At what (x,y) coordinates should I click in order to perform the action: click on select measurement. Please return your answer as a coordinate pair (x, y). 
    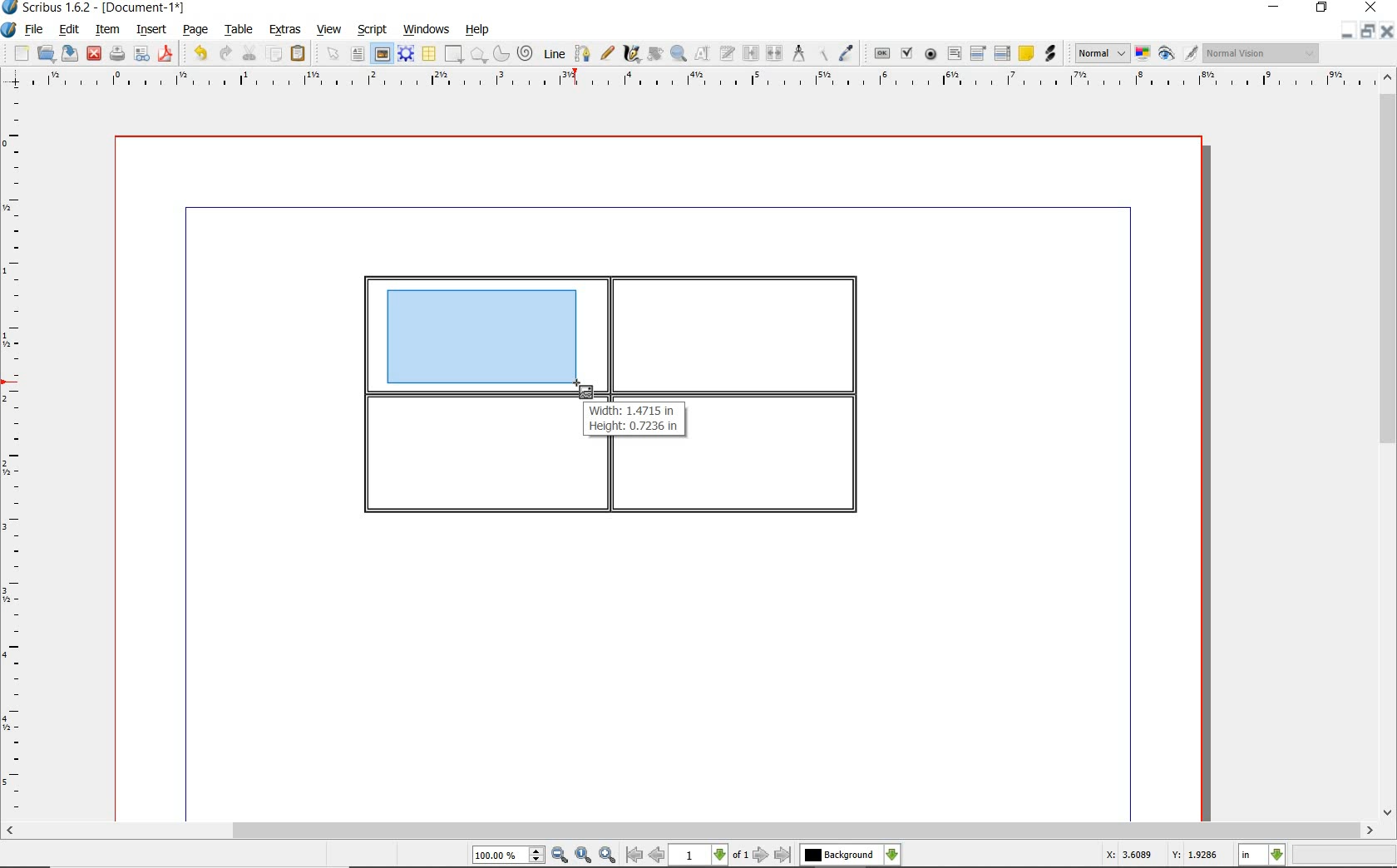
    Looking at the image, I should click on (1262, 855).